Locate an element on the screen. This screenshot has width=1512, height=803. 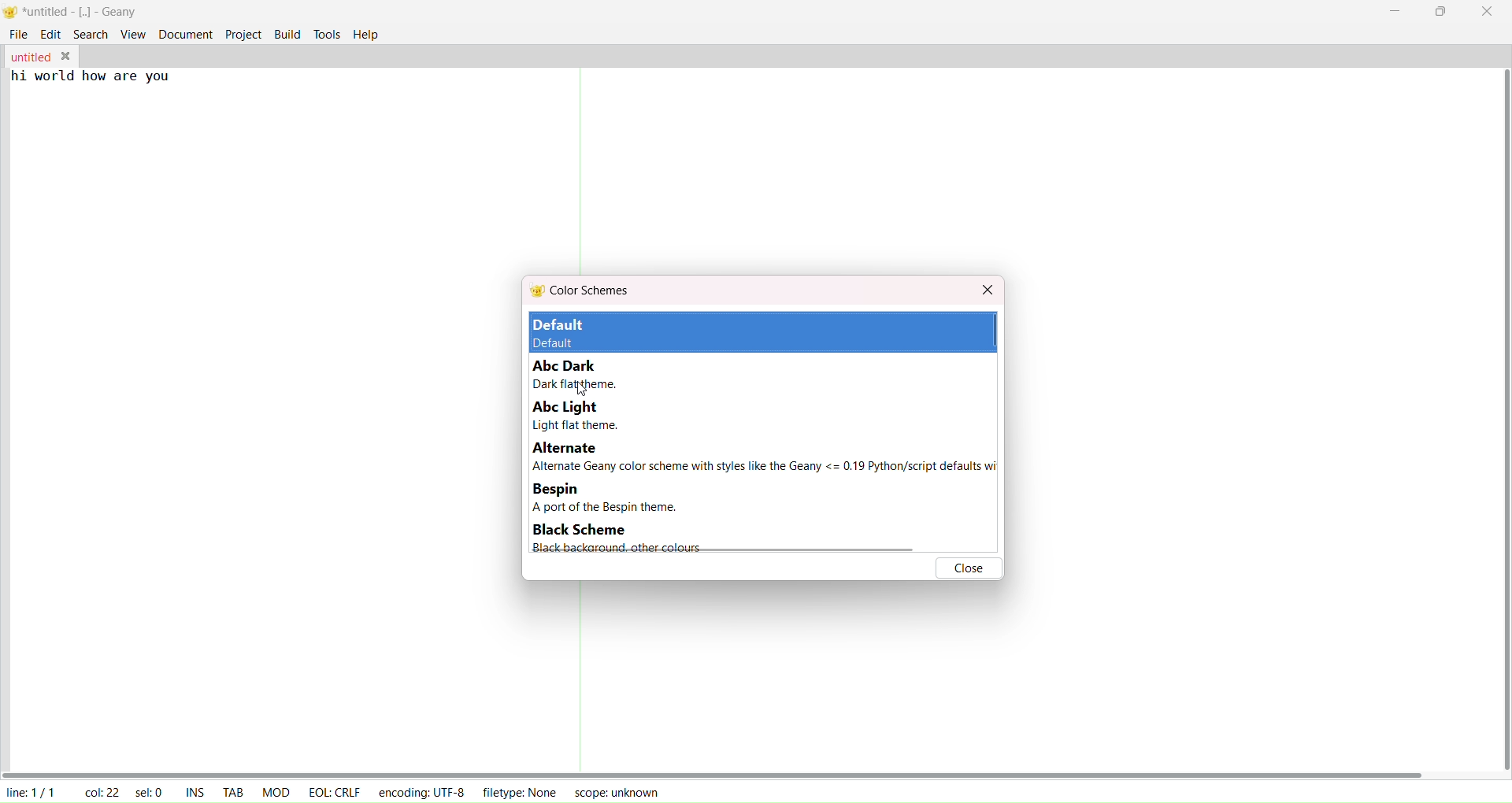
edit is located at coordinates (50, 34).